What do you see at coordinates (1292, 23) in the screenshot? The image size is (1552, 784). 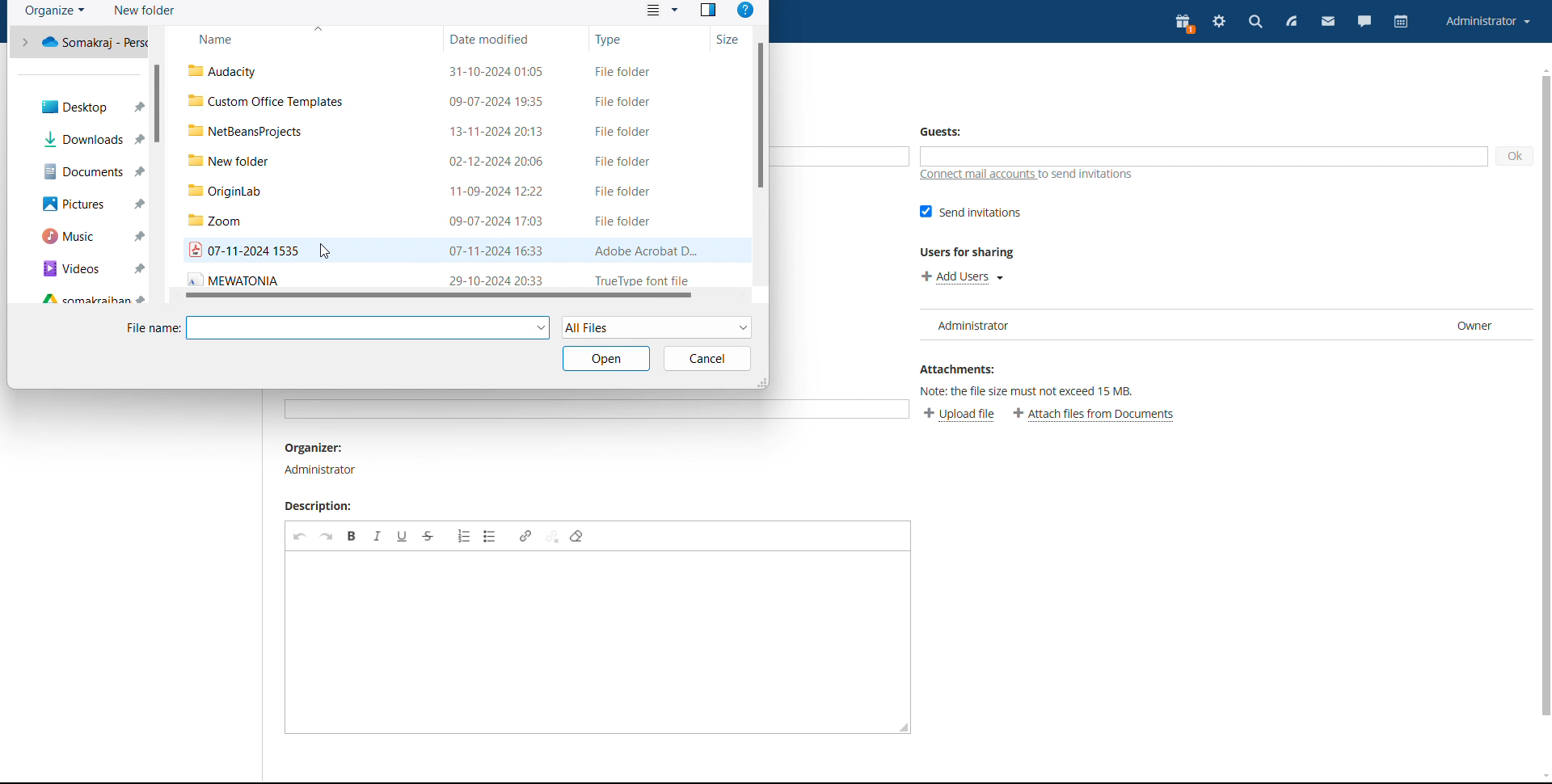 I see `feed` at bounding box center [1292, 23].